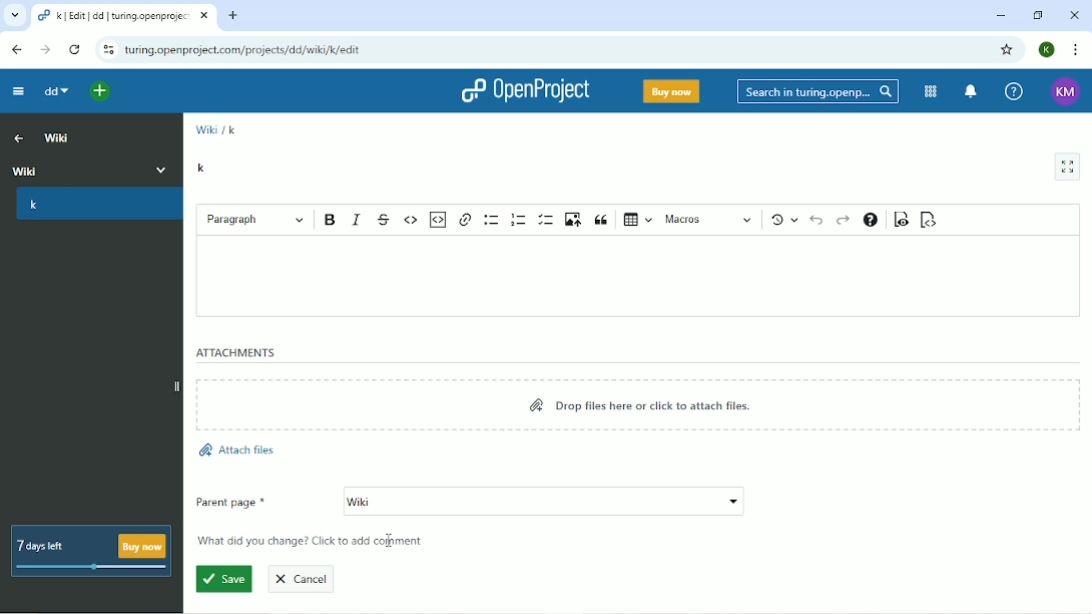  What do you see at coordinates (256, 218) in the screenshot?
I see `Paragraph` at bounding box center [256, 218].